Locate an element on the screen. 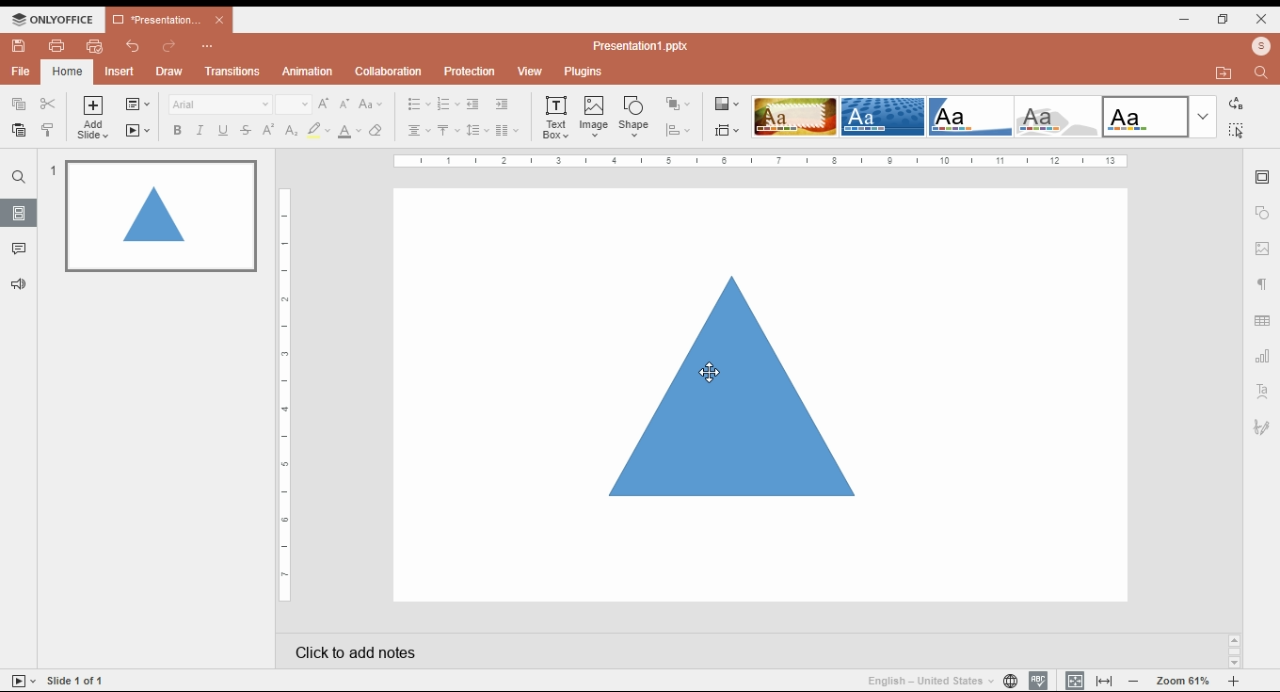 Image resolution: width=1280 pixels, height=692 pixels. language is located at coordinates (933, 679).